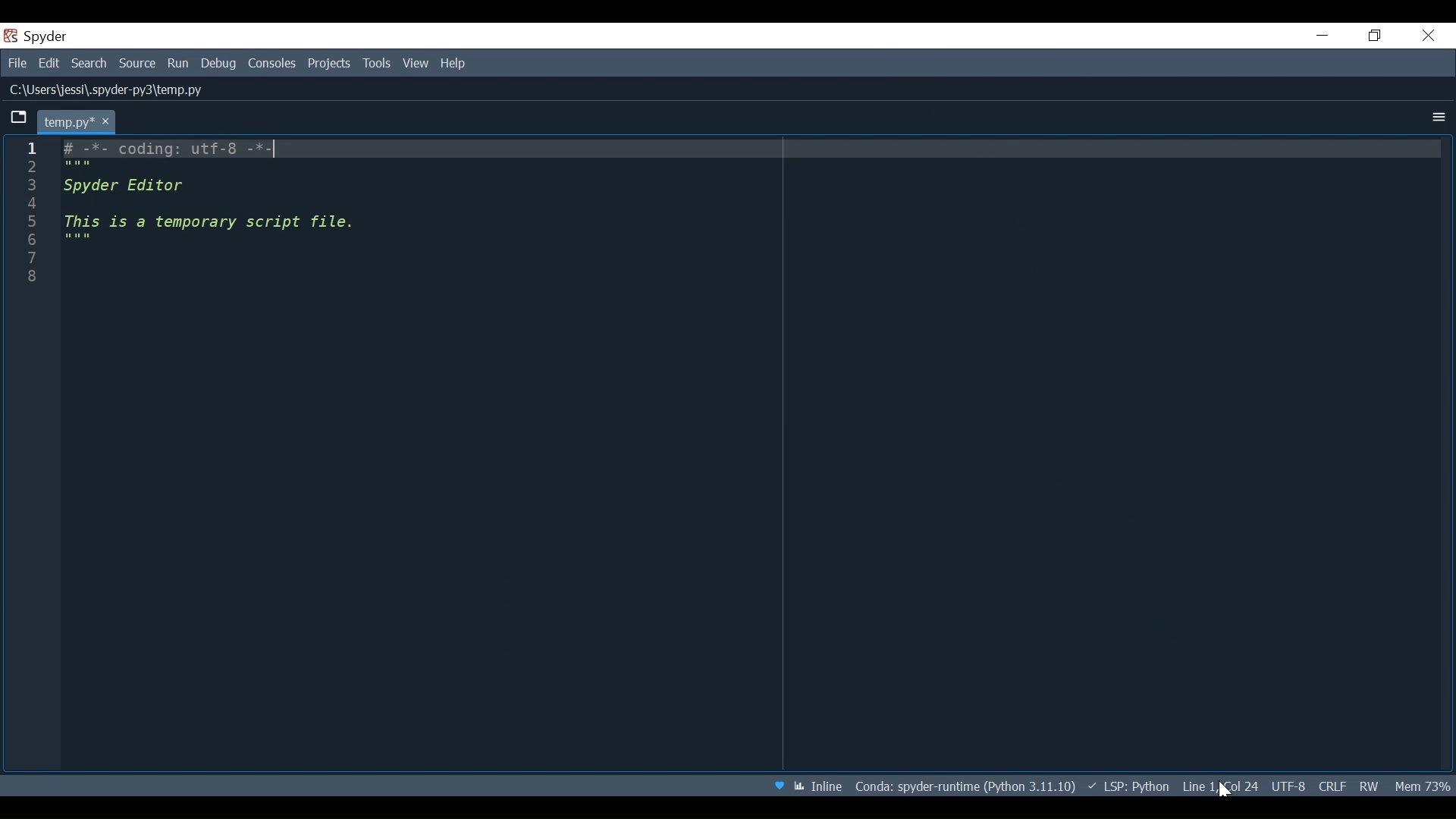 The width and height of the screenshot is (1456, 819). I want to click on Search, so click(89, 63).